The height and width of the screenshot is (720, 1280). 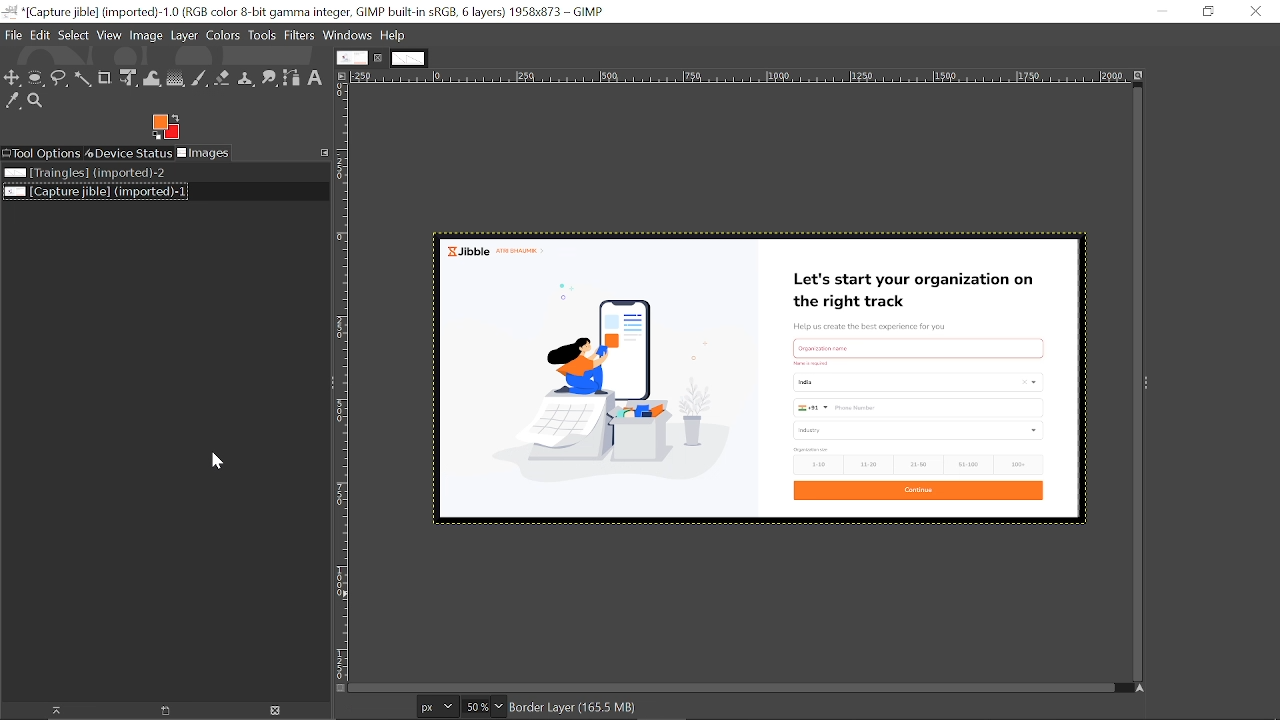 I want to click on Phone number, so click(x=921, y=407).